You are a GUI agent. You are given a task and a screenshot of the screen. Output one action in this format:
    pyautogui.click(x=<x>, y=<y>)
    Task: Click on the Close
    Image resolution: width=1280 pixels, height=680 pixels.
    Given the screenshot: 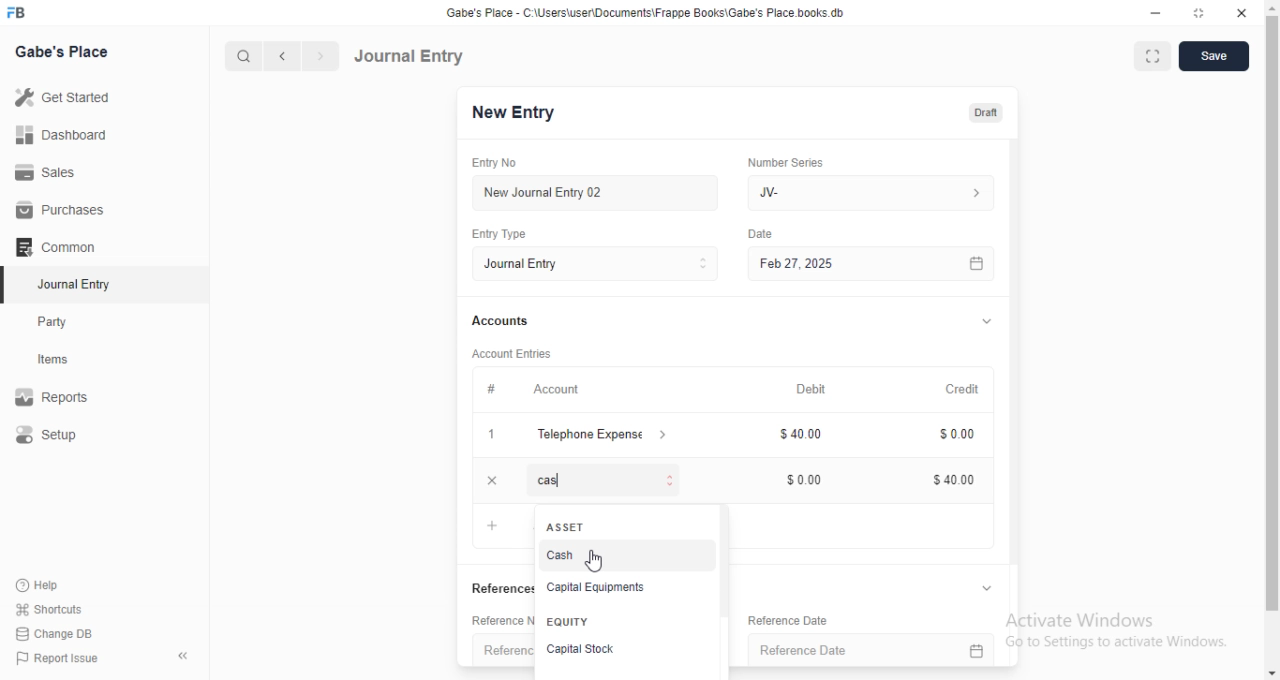 What is the action you would take?
    pyautogui.click(x=492, y=480)
    